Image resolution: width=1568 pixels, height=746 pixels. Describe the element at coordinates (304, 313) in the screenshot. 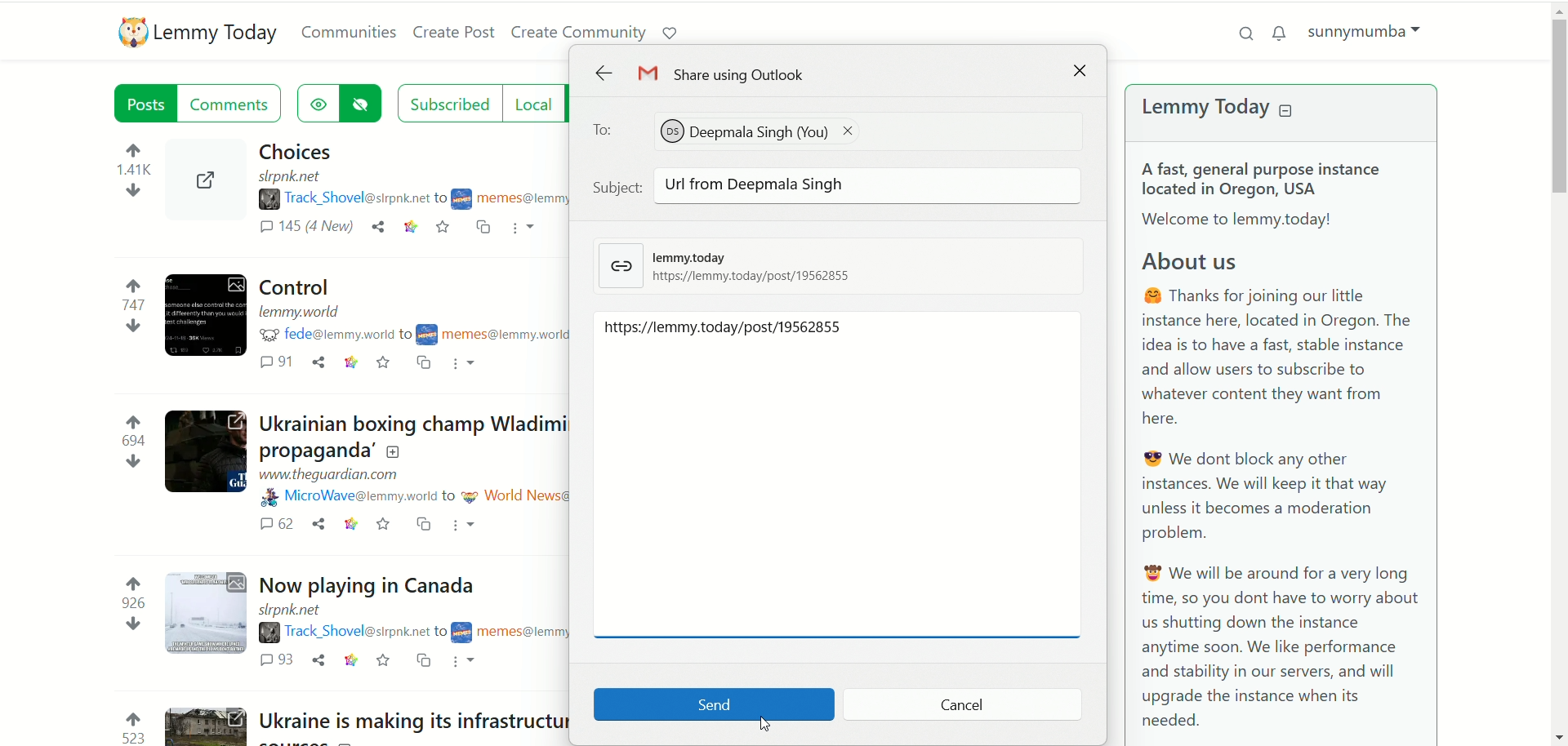

I see `URL` at that location.